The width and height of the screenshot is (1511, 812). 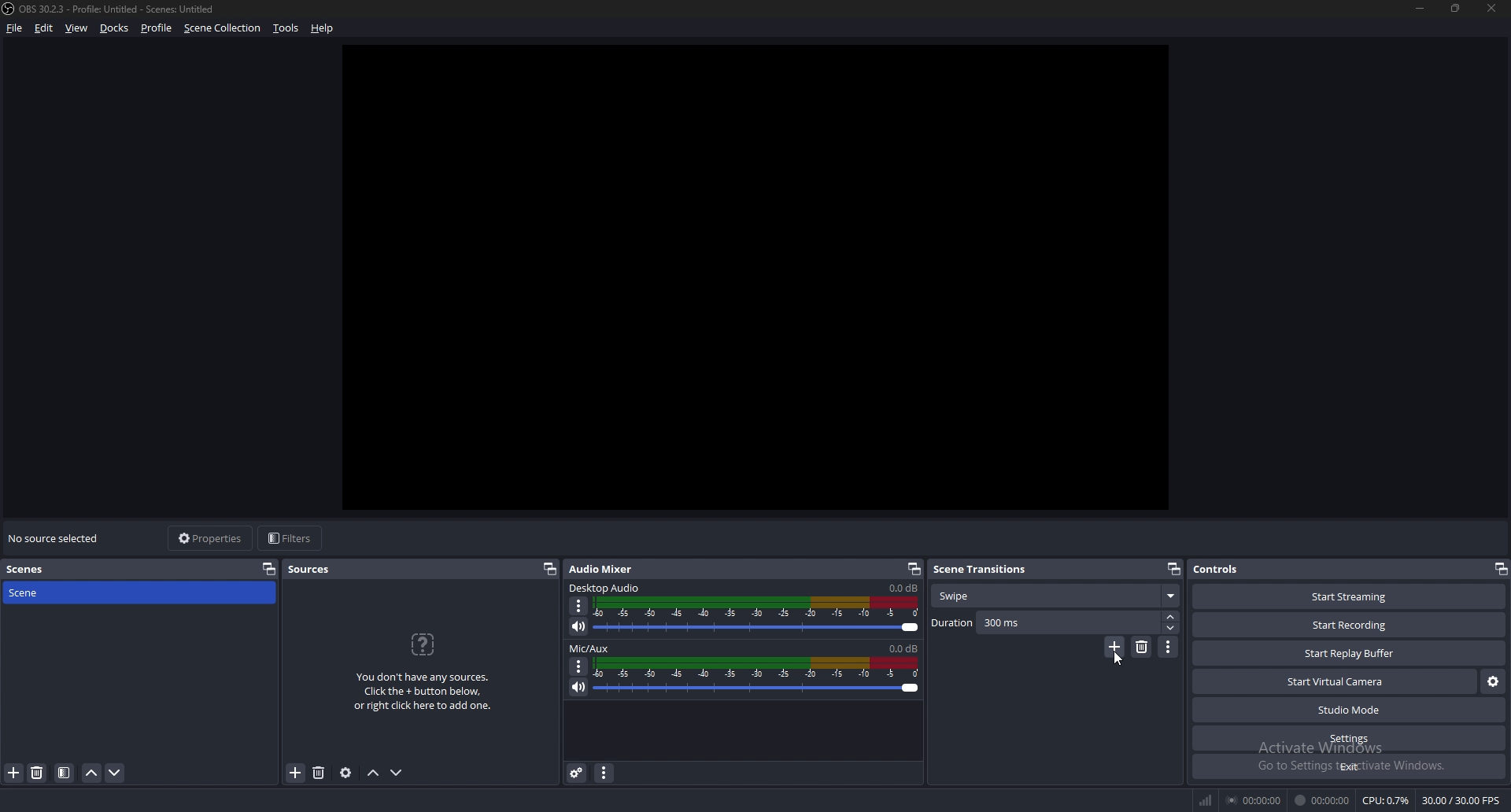 I want to click on pop out, so click(x=1174, y=569).